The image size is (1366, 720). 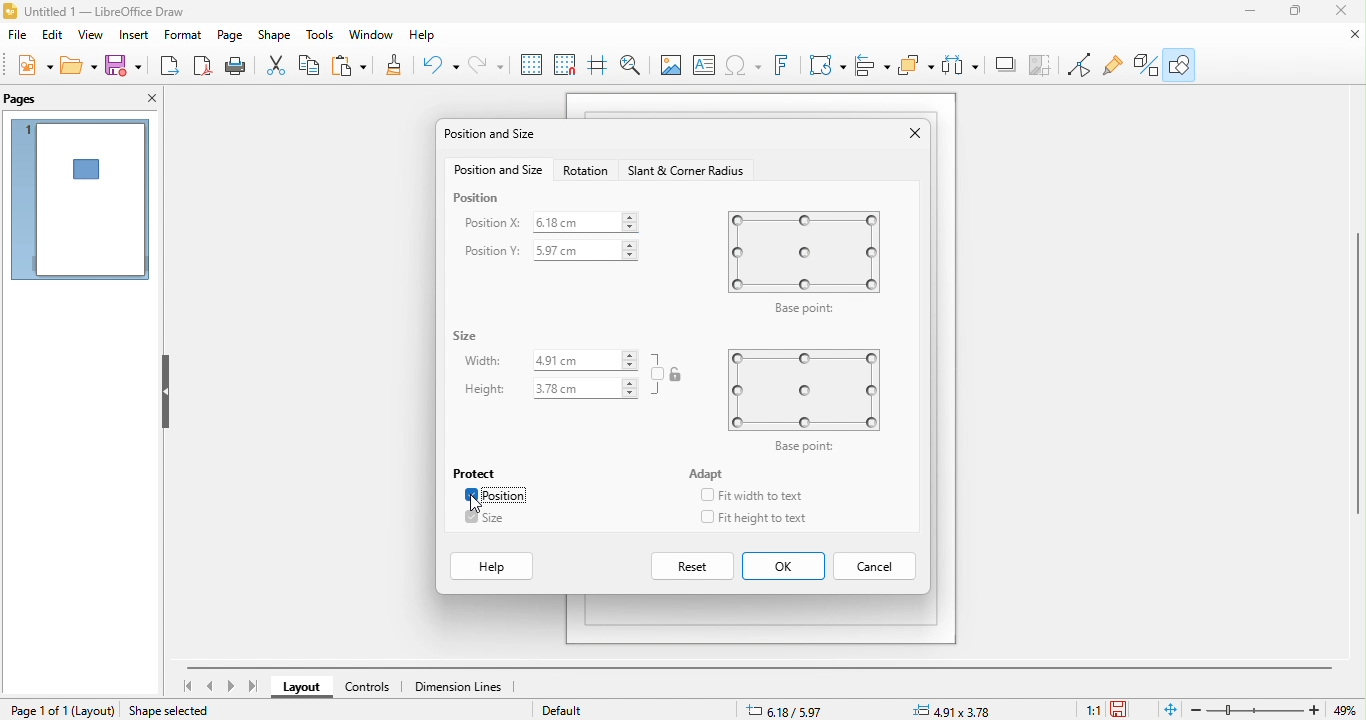 What do you see at coordinates (706, 494) in the screenshot?
I see `Checkbox ` at bounding box center [706, 494].